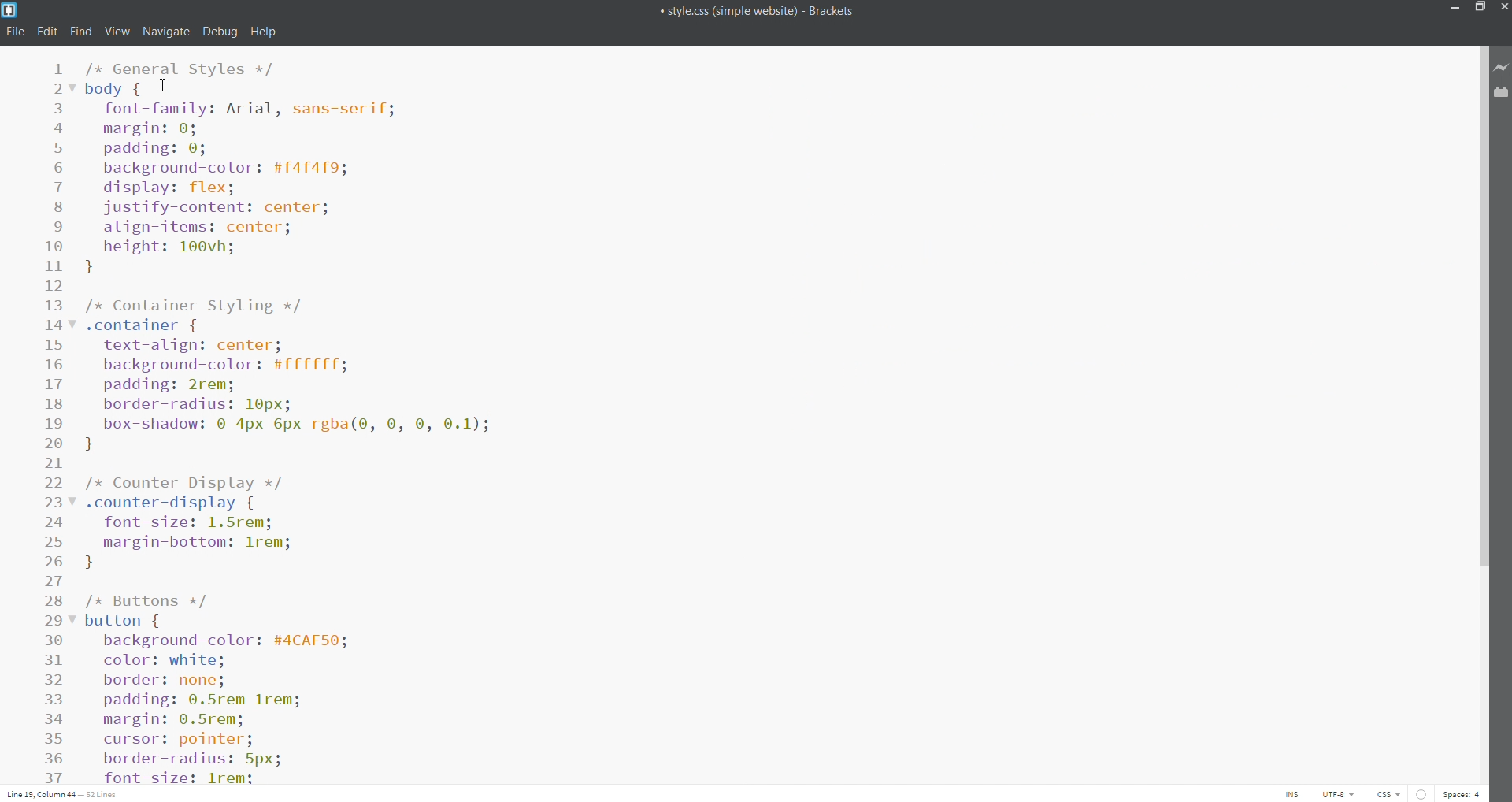 Image resolution: width=1512 pixels, height=802 pixels. What do you see at coordinates (1478, 9) in the screenshot?
I see `maximize/restore` at bounding box center [1478, 9].